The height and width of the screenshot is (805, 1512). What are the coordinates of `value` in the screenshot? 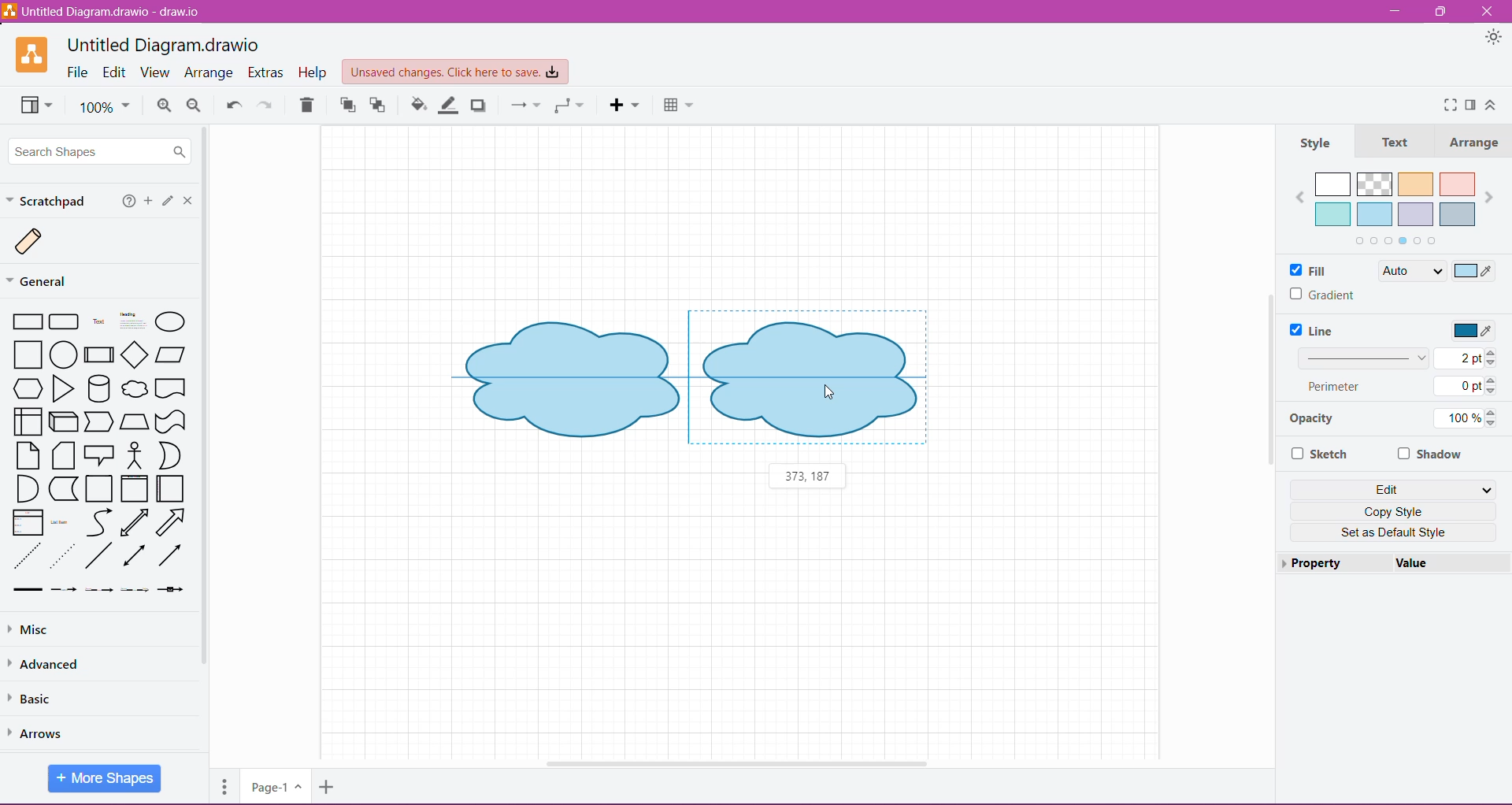 It's located at (1448, 562).